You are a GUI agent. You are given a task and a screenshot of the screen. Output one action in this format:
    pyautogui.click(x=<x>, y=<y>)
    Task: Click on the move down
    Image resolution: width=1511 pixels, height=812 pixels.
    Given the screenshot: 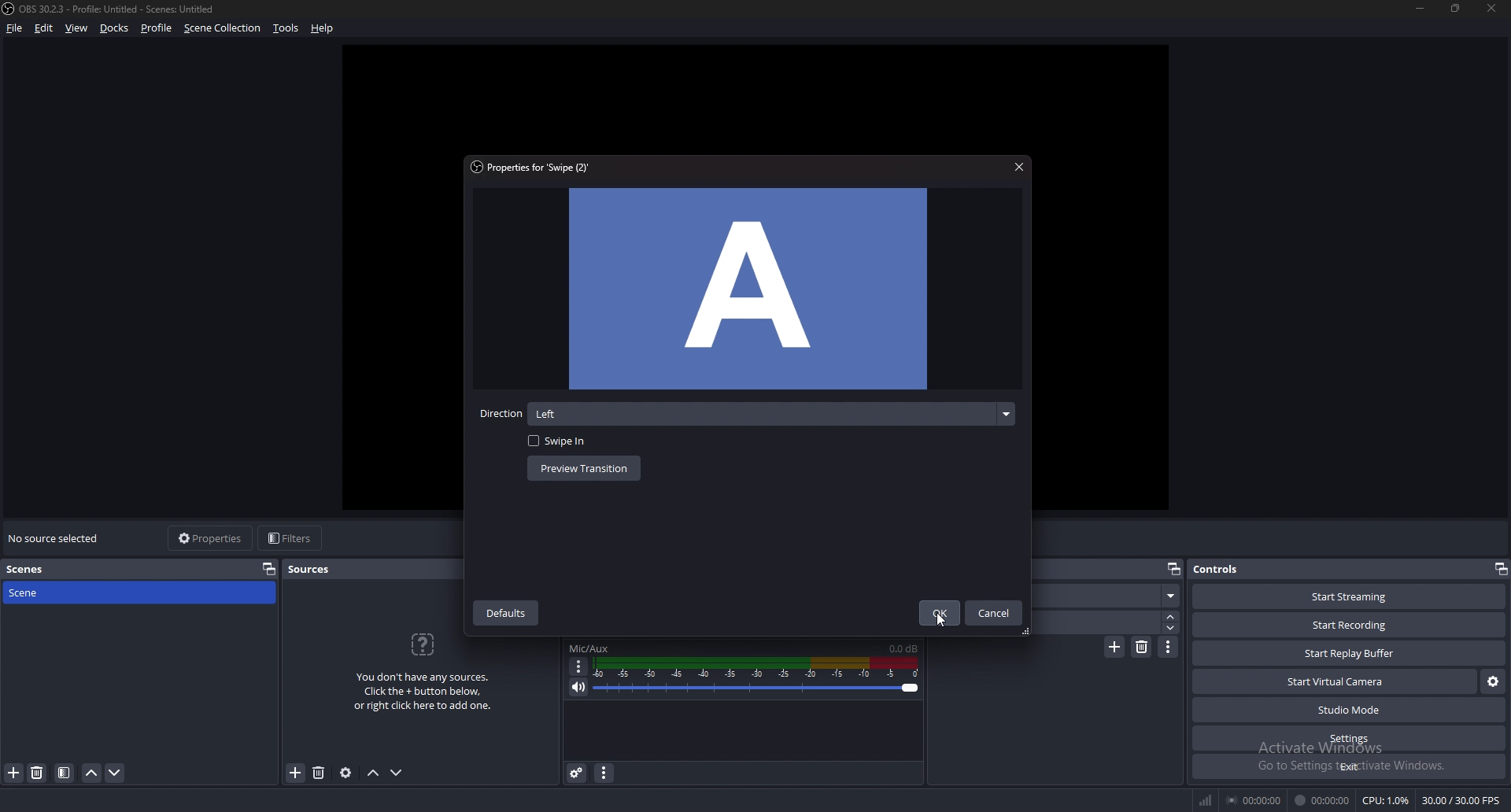 What is the action you would take?
    pyautogui.click(x=397, y=773)
    